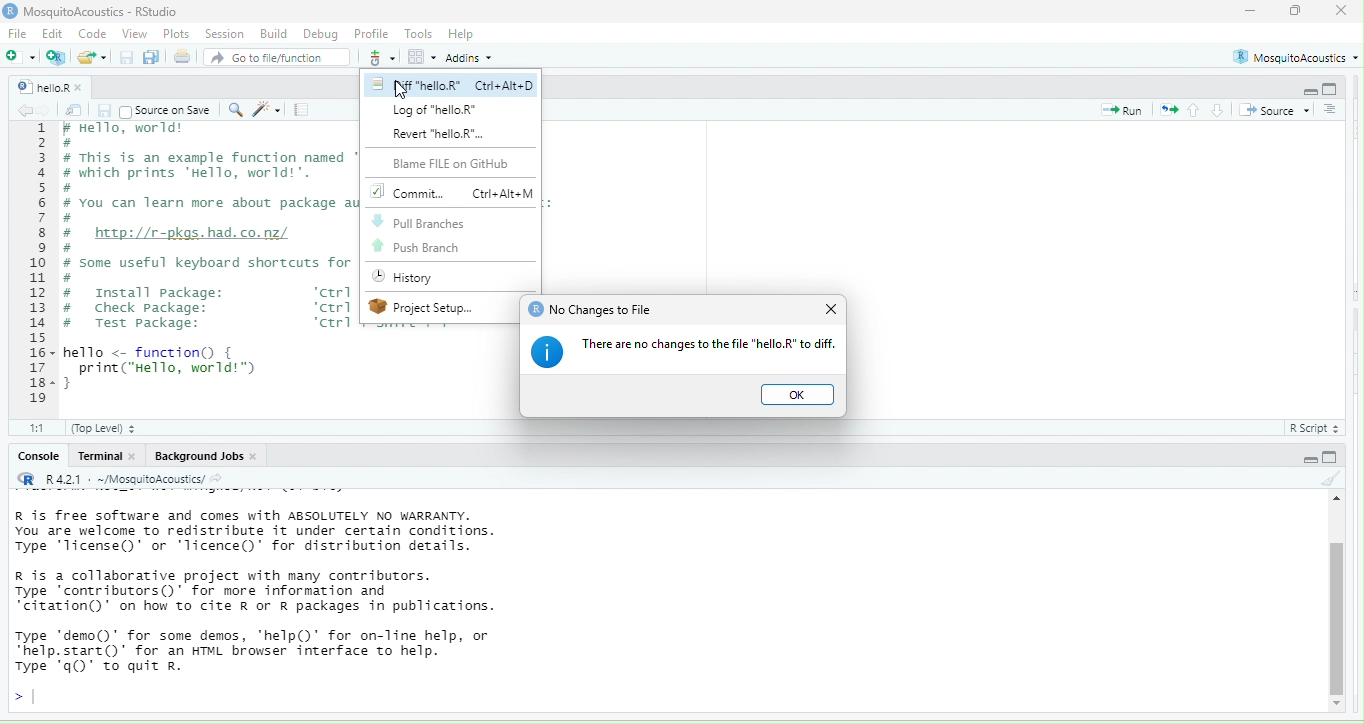 The image size is (1364, 724). Describe the element at coordinates (1274, 110) in the screenshot. I see `source` at that location.